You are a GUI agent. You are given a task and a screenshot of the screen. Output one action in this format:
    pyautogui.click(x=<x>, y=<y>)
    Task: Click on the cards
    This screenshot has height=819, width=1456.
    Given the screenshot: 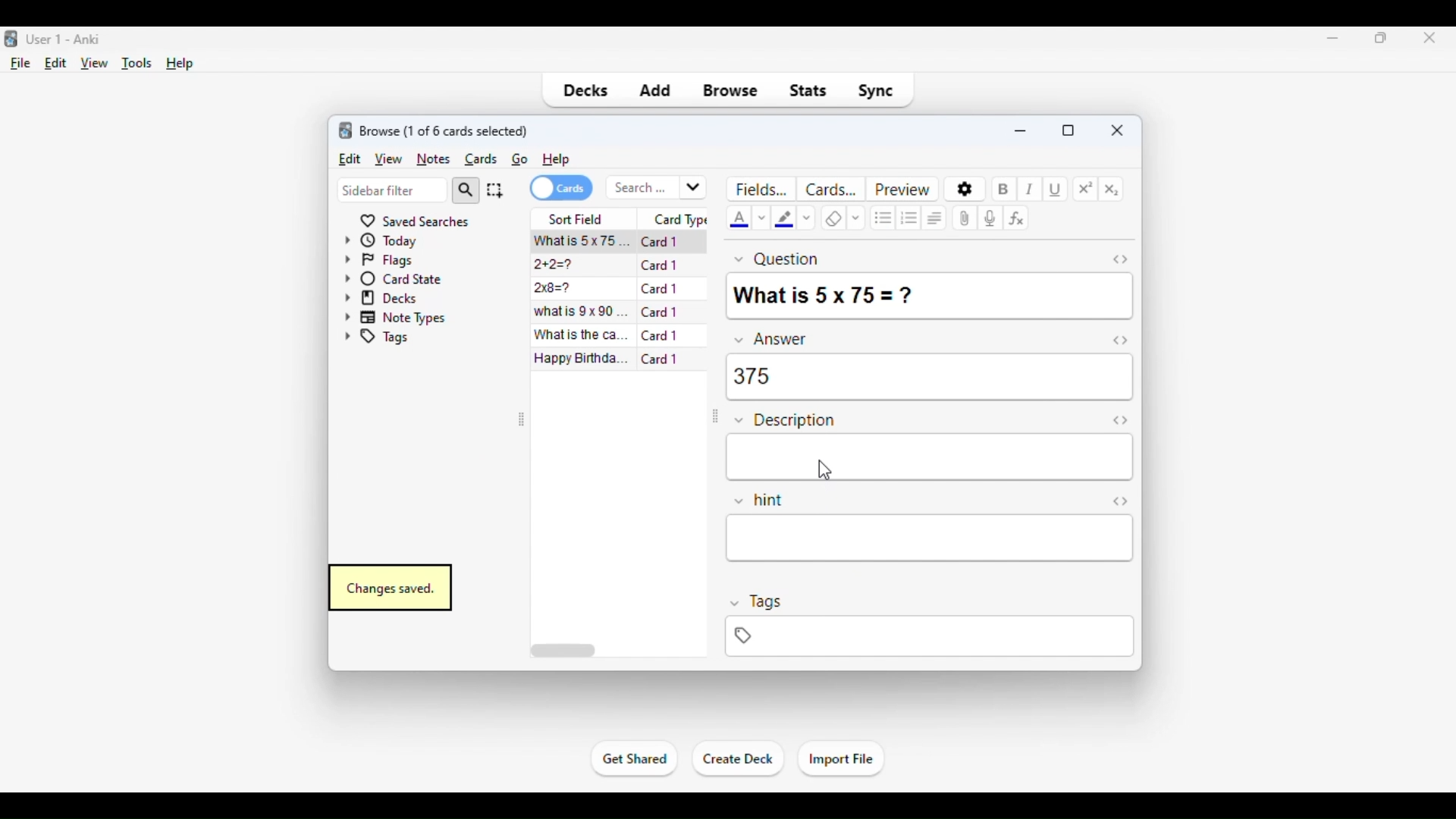 What is the action you would take?
    pyautogui.click(x=560, y=188)
    